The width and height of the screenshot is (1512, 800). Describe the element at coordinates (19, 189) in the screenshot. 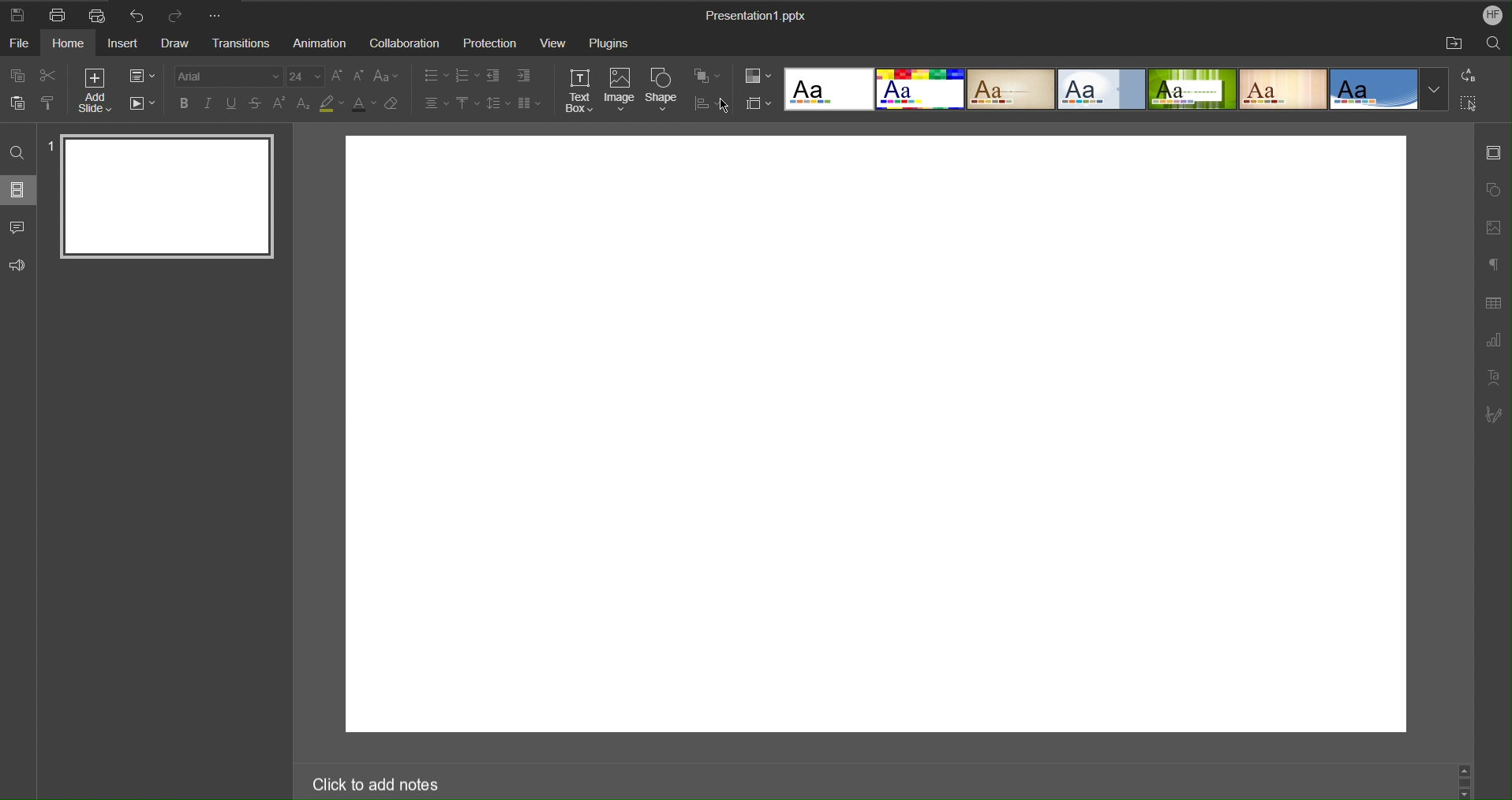

I see `Slides` at that location.